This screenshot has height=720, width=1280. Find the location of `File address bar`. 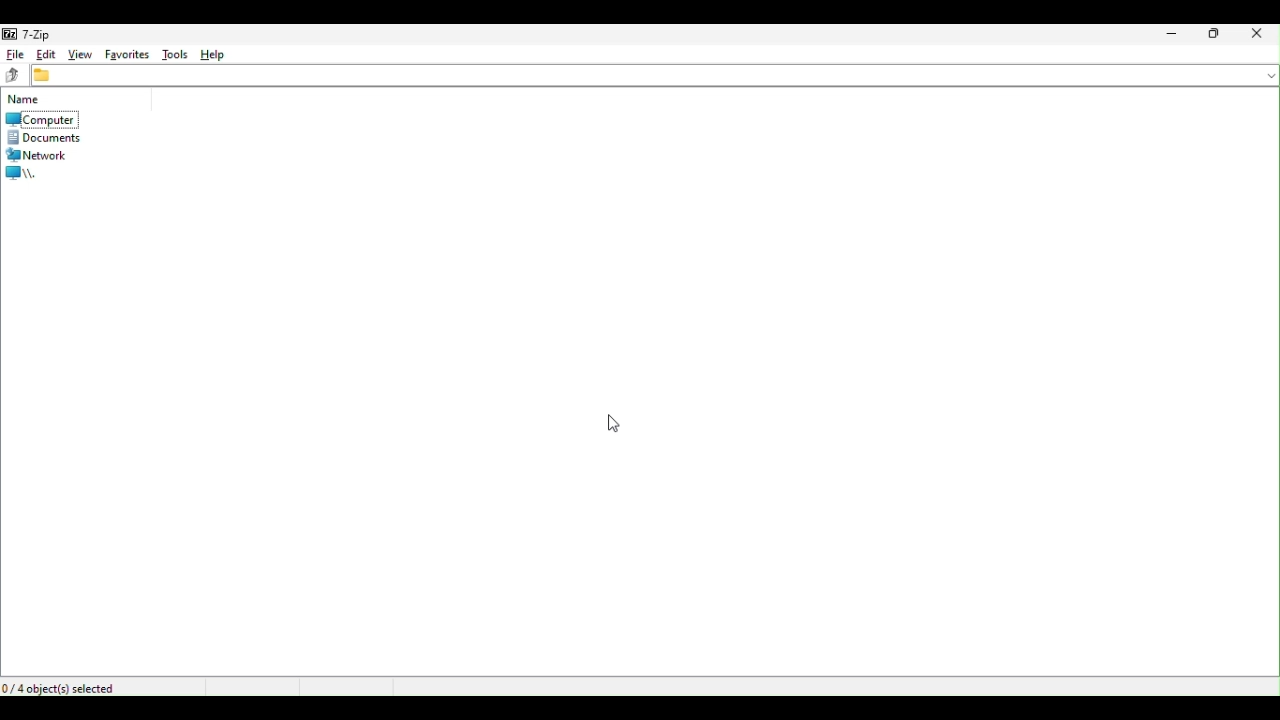

File address bar is located at coordinates (654, 77).